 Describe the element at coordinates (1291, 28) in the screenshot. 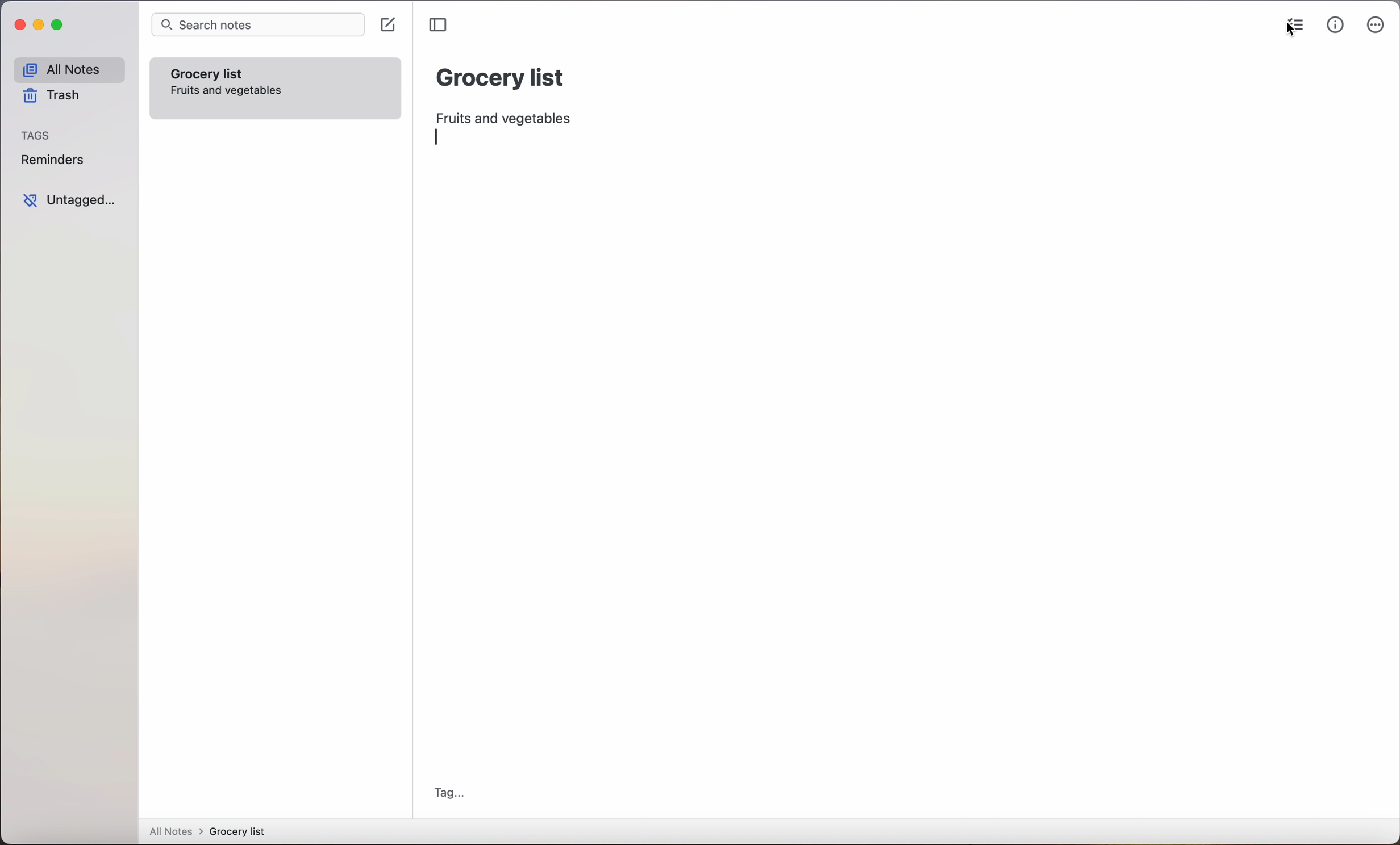

I see `click on checklist` at that location.